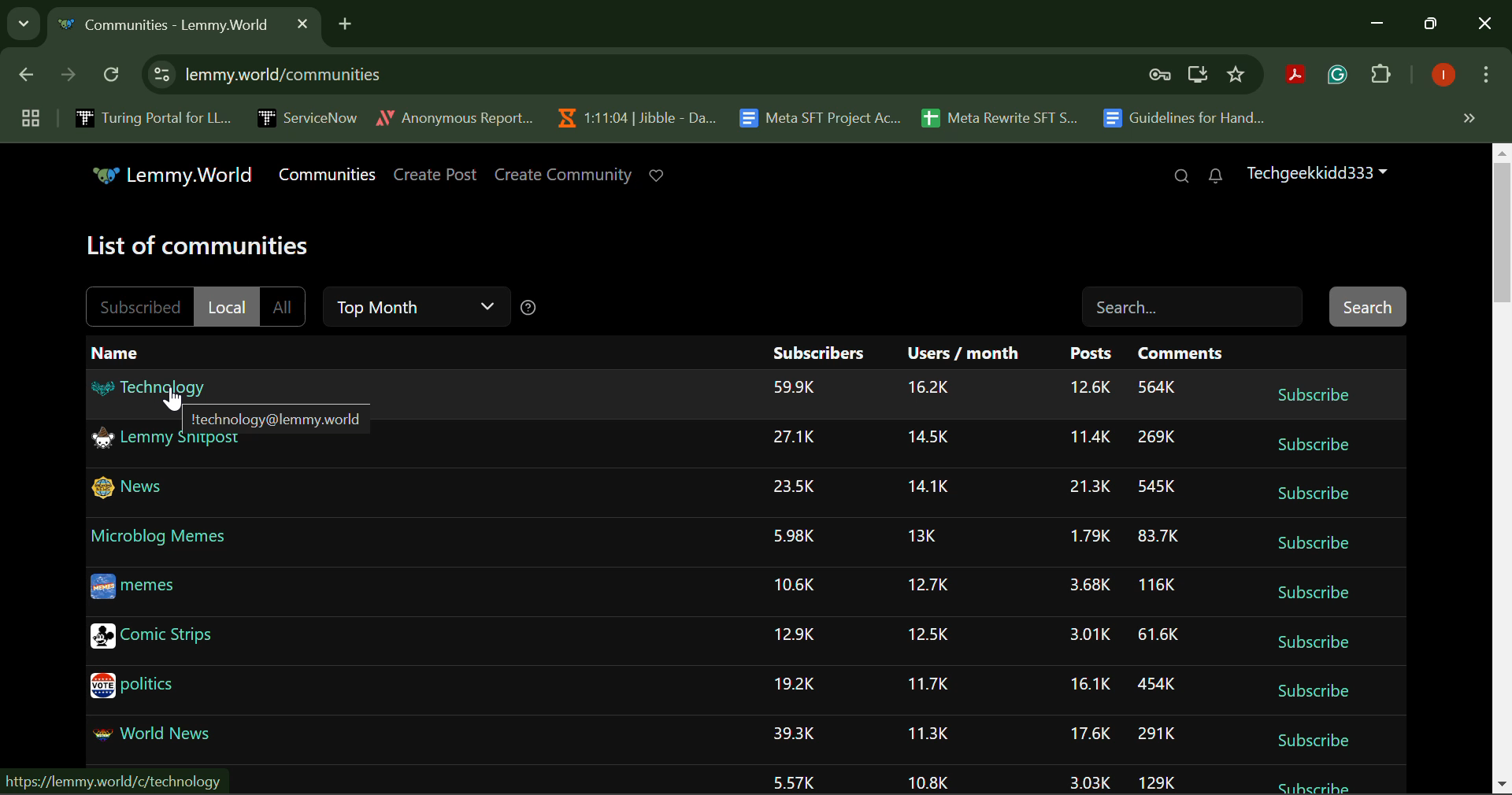 The image size is (1512, 795). Describe the element at coordinates (66, 79) in the screenshot. I see `Next Page ` at that location.